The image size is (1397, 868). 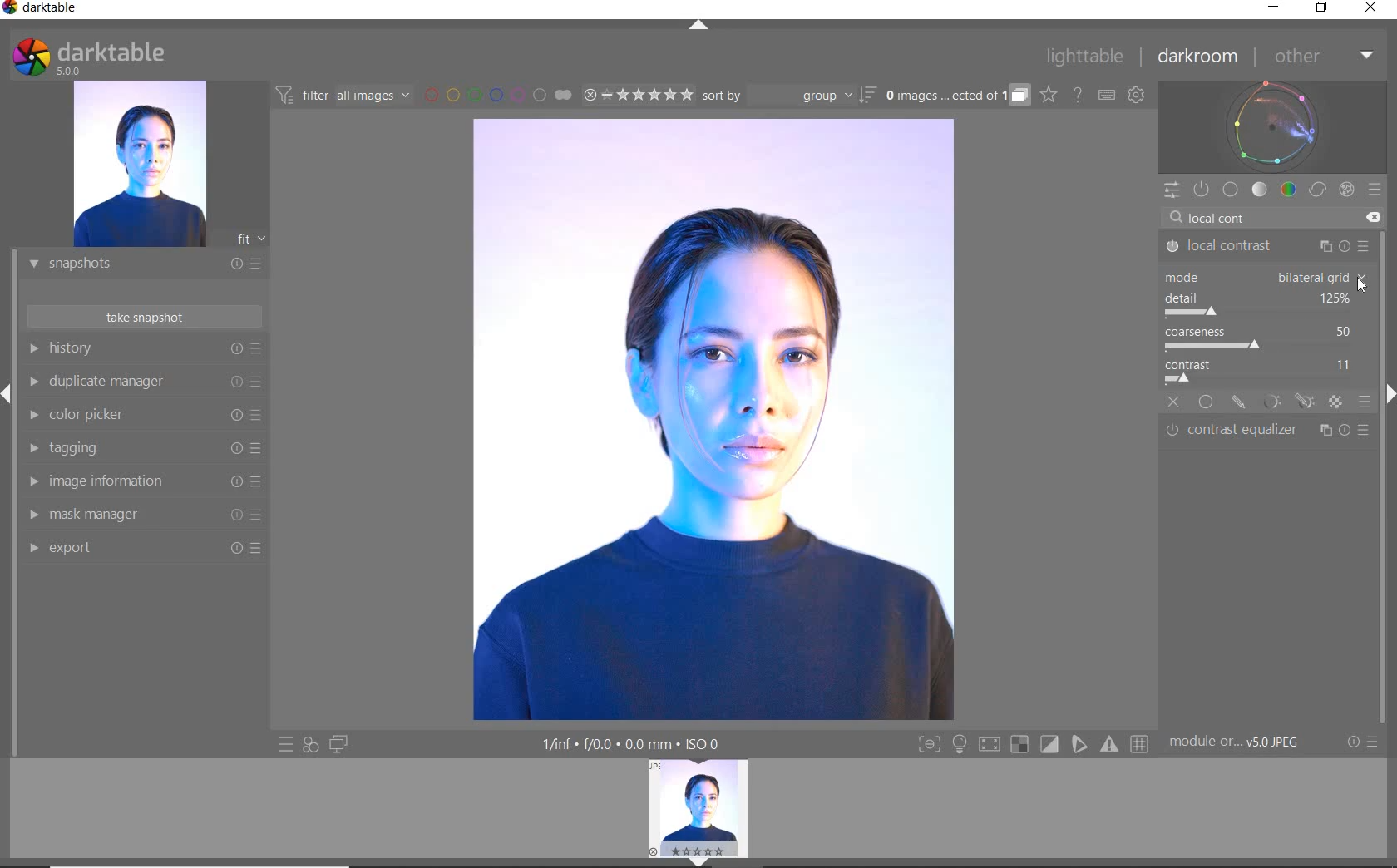 What do you see at coordinates (628, 744) in the screenshot?
I see `DISPLAYED GUI INFO` at bounding box center [628, 744].